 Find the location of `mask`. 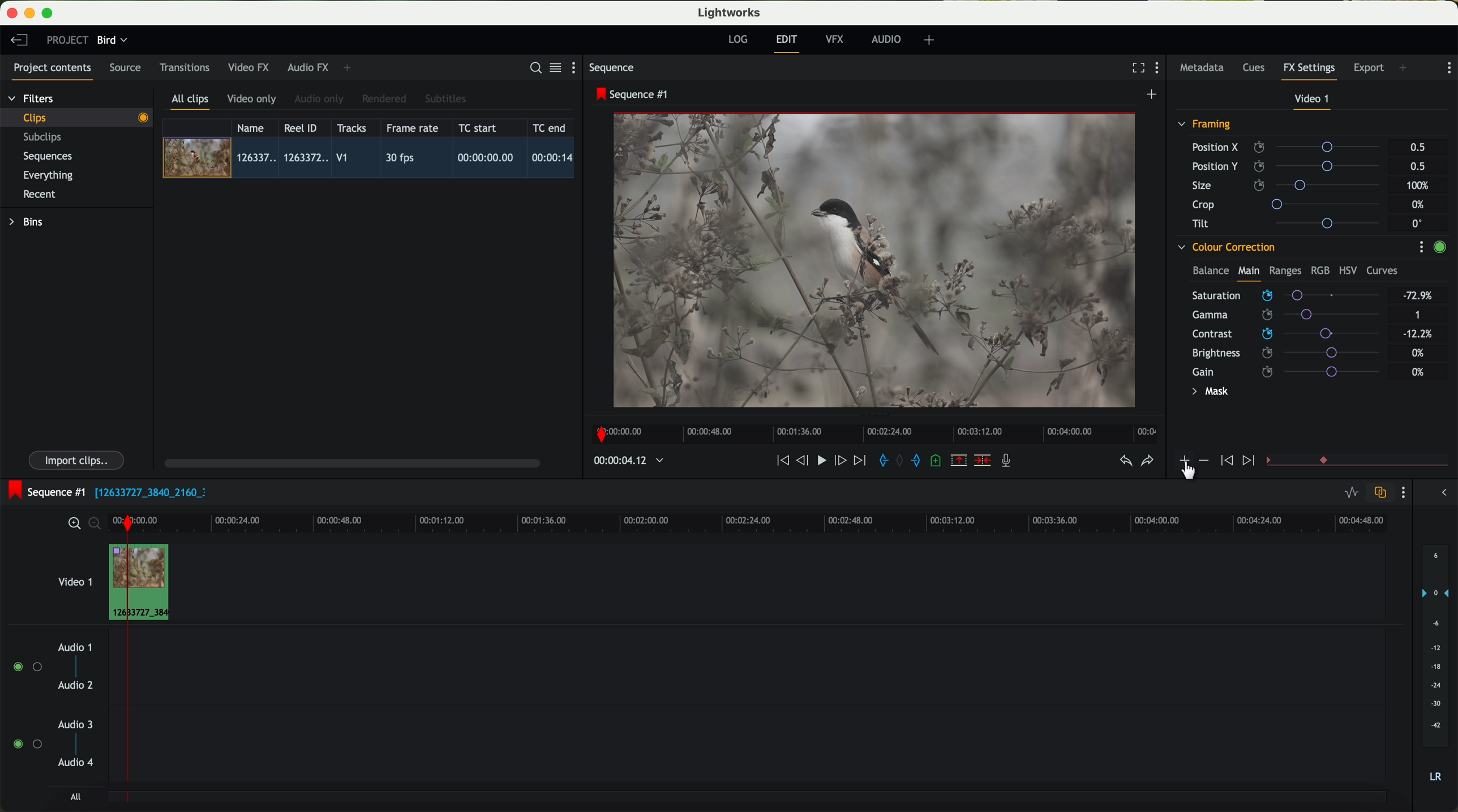

mask is located at coordinates (1208, 393).